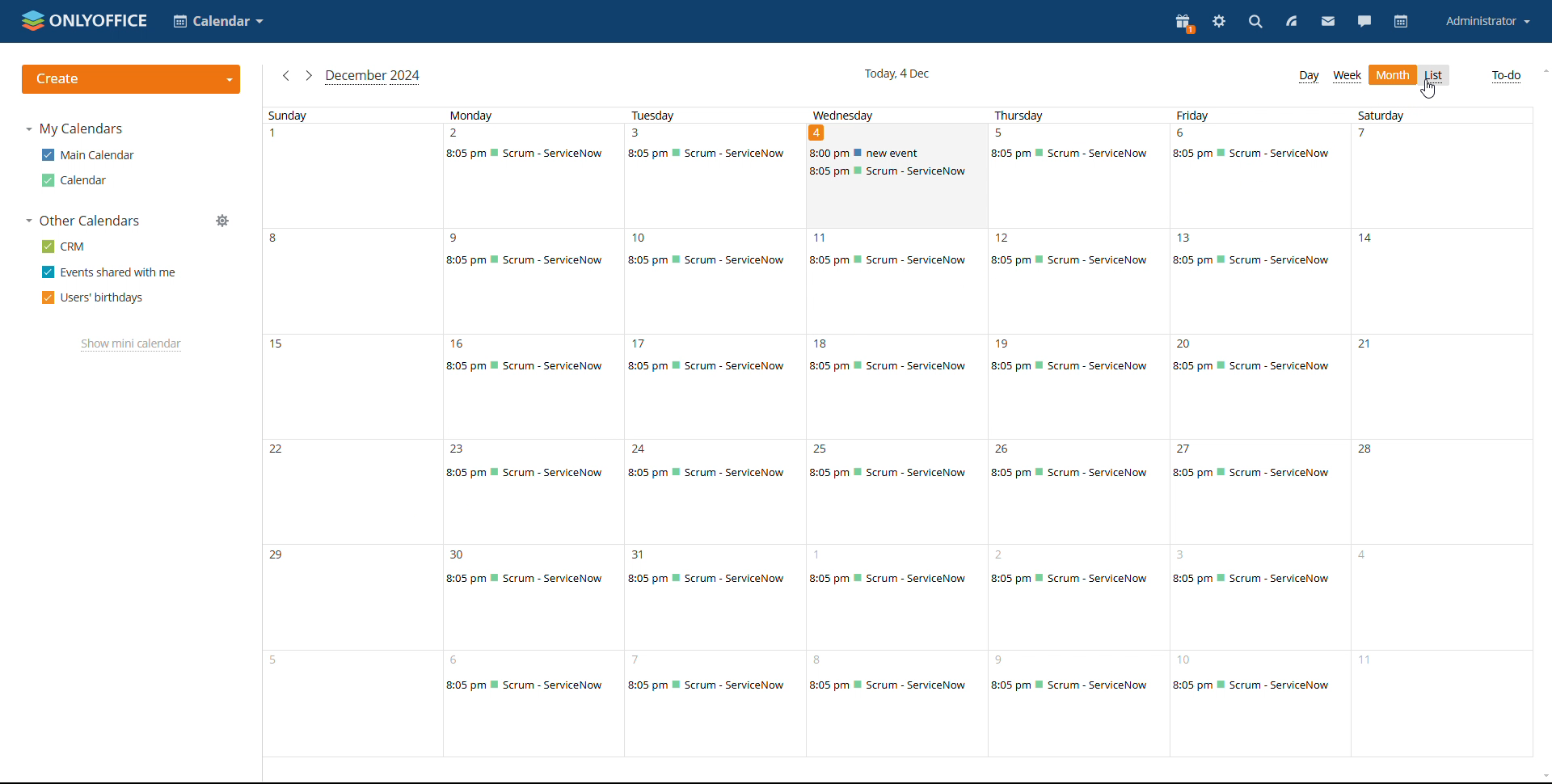 This screenshot has height=784, width=1552. I want to click on create, so click(132, 79).